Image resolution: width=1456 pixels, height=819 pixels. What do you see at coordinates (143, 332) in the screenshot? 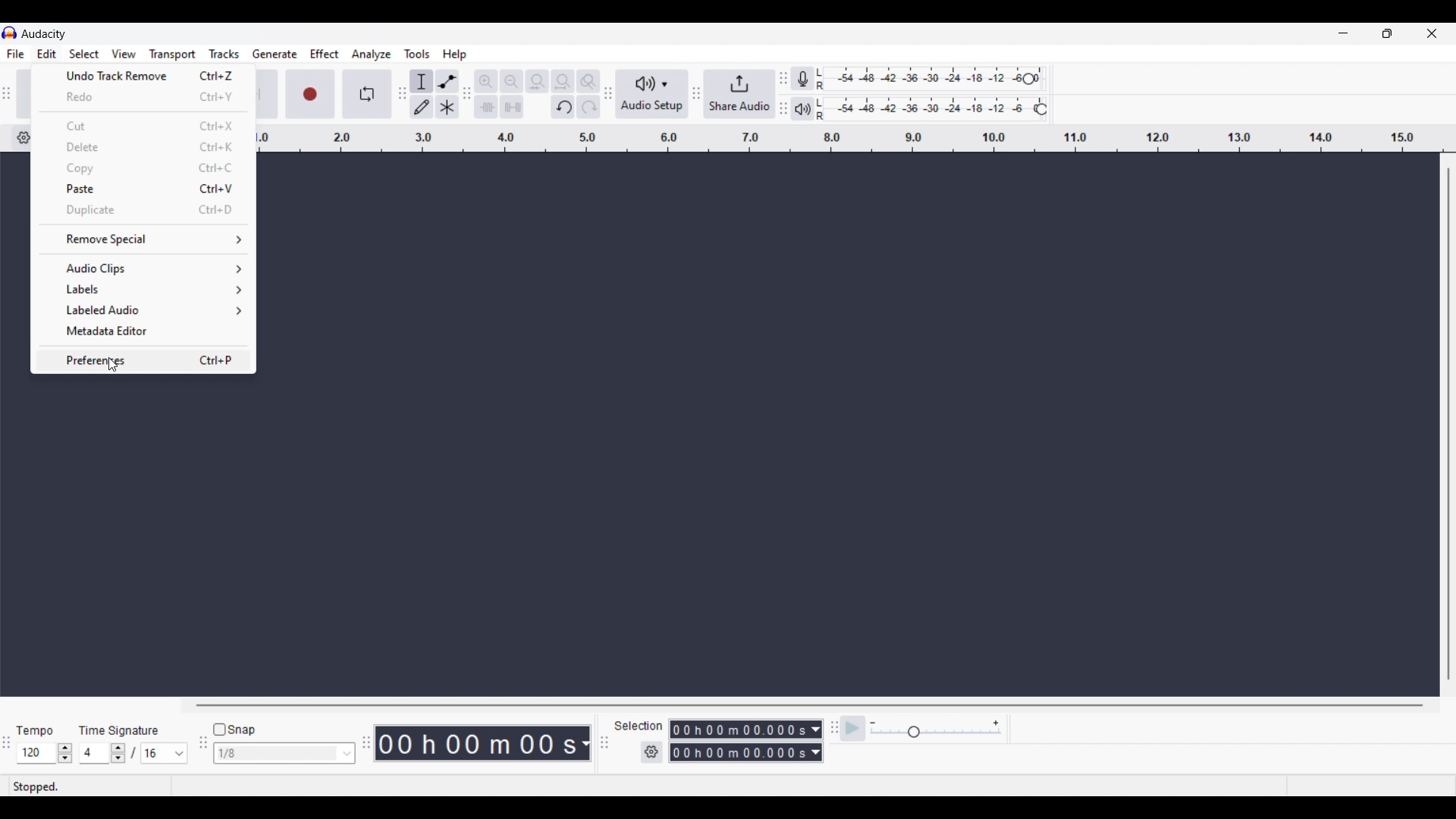
I see `Metadata editor` at bounding box center [143, 332].